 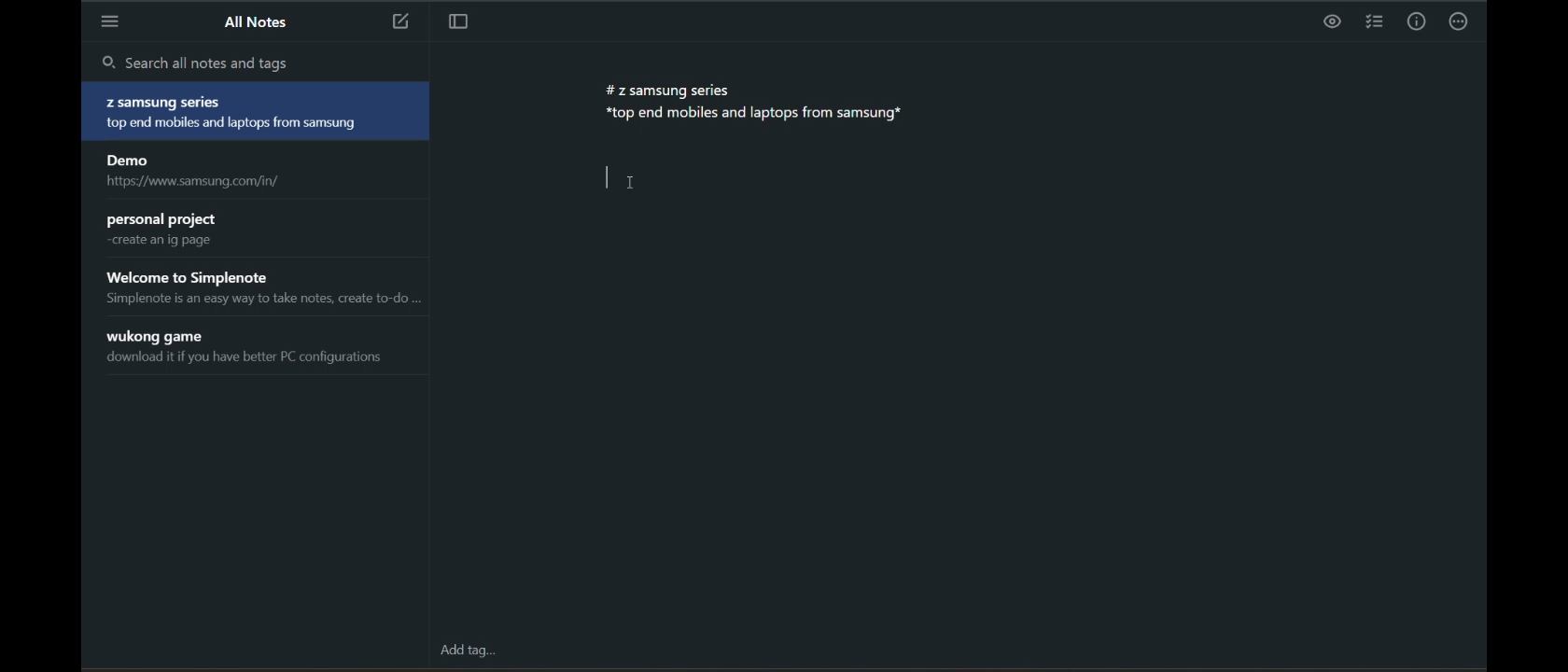 What do you see at coordinates (1417, 21) in the screenshot?
I see `info` at bounding box center [1417, 21].